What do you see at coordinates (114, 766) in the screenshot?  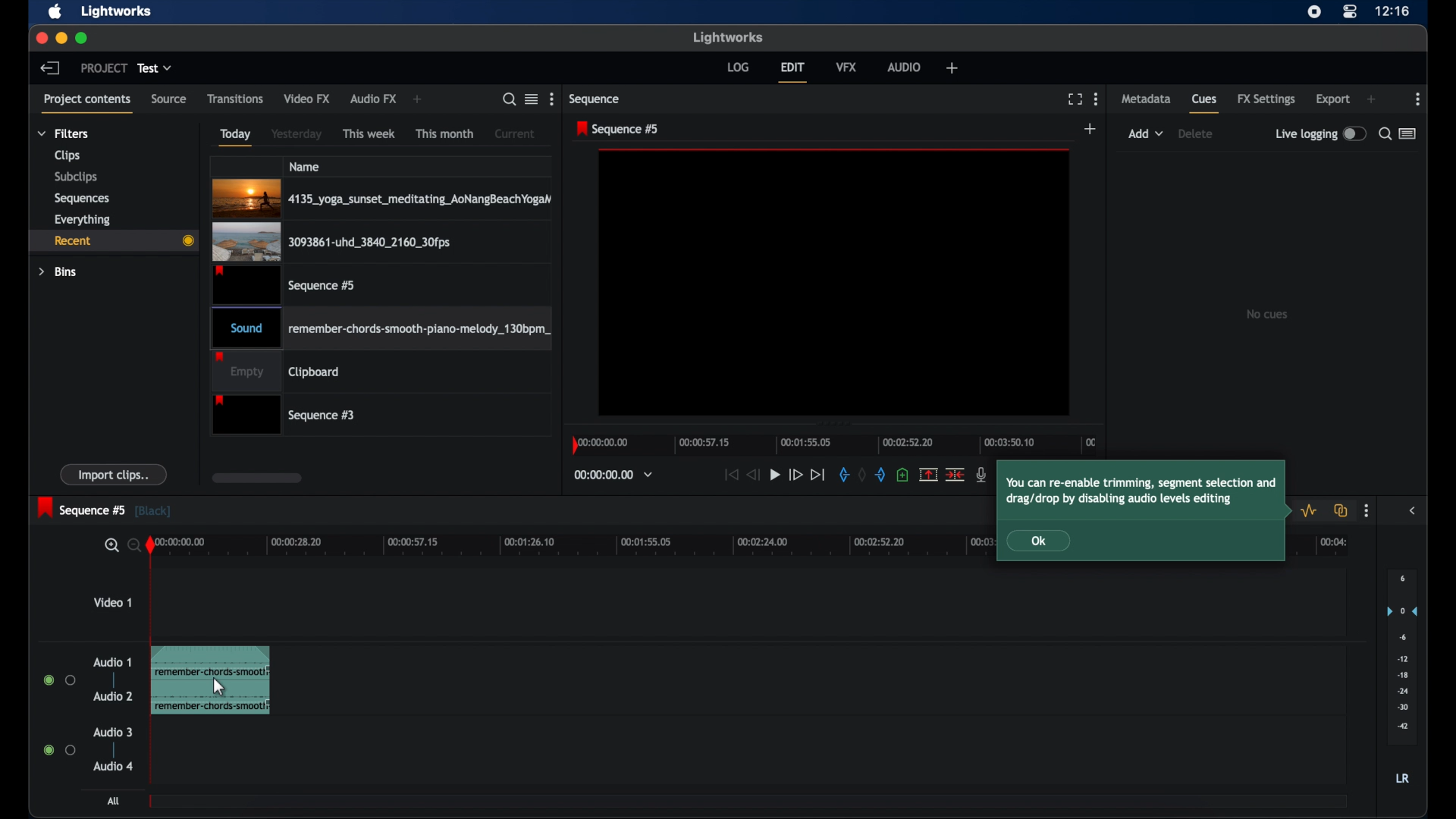 I see `audio 4` at bounding box center [114, 766].